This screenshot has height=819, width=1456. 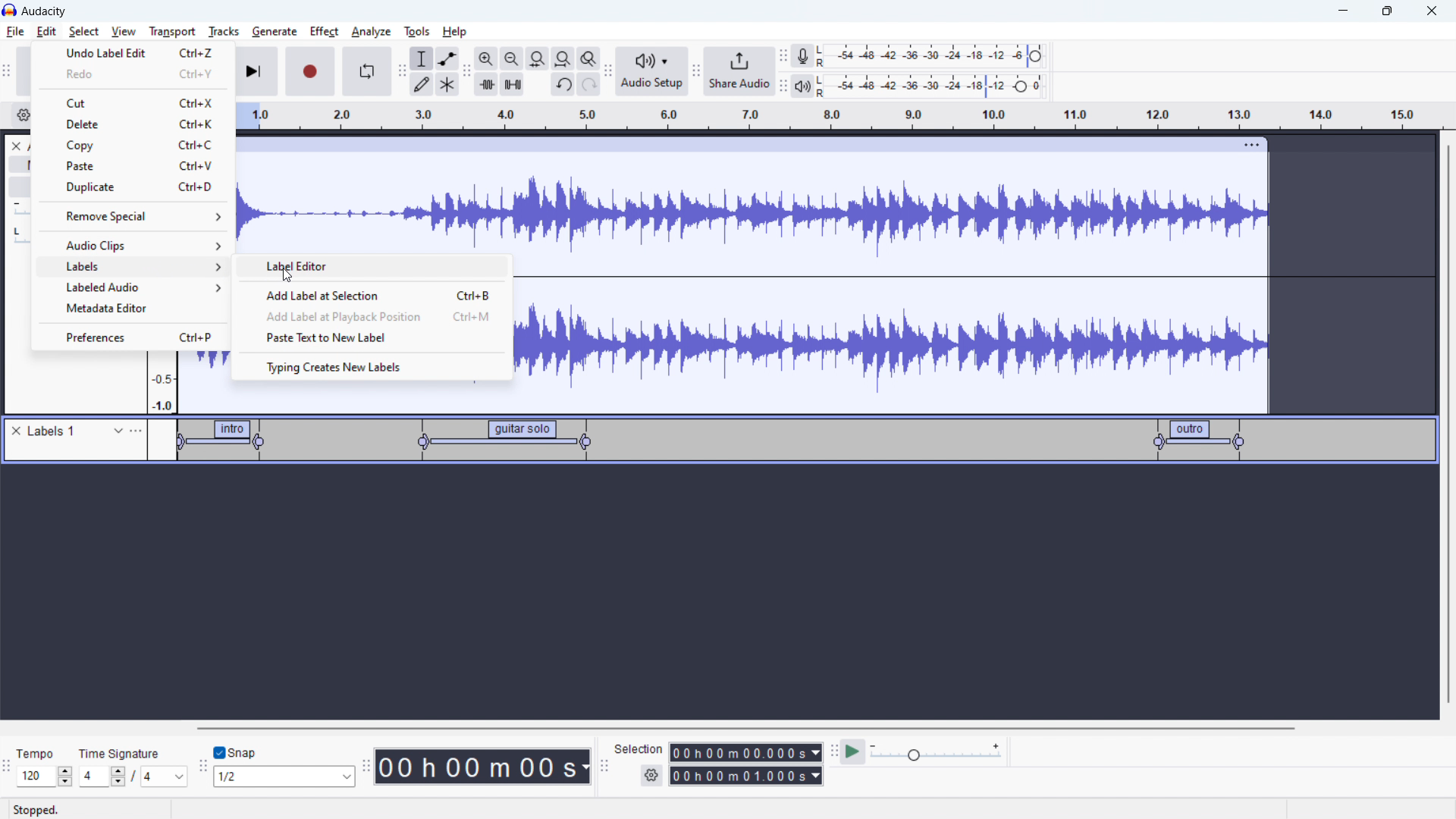 I want to click on amplitude, so click(x=162, y=384).